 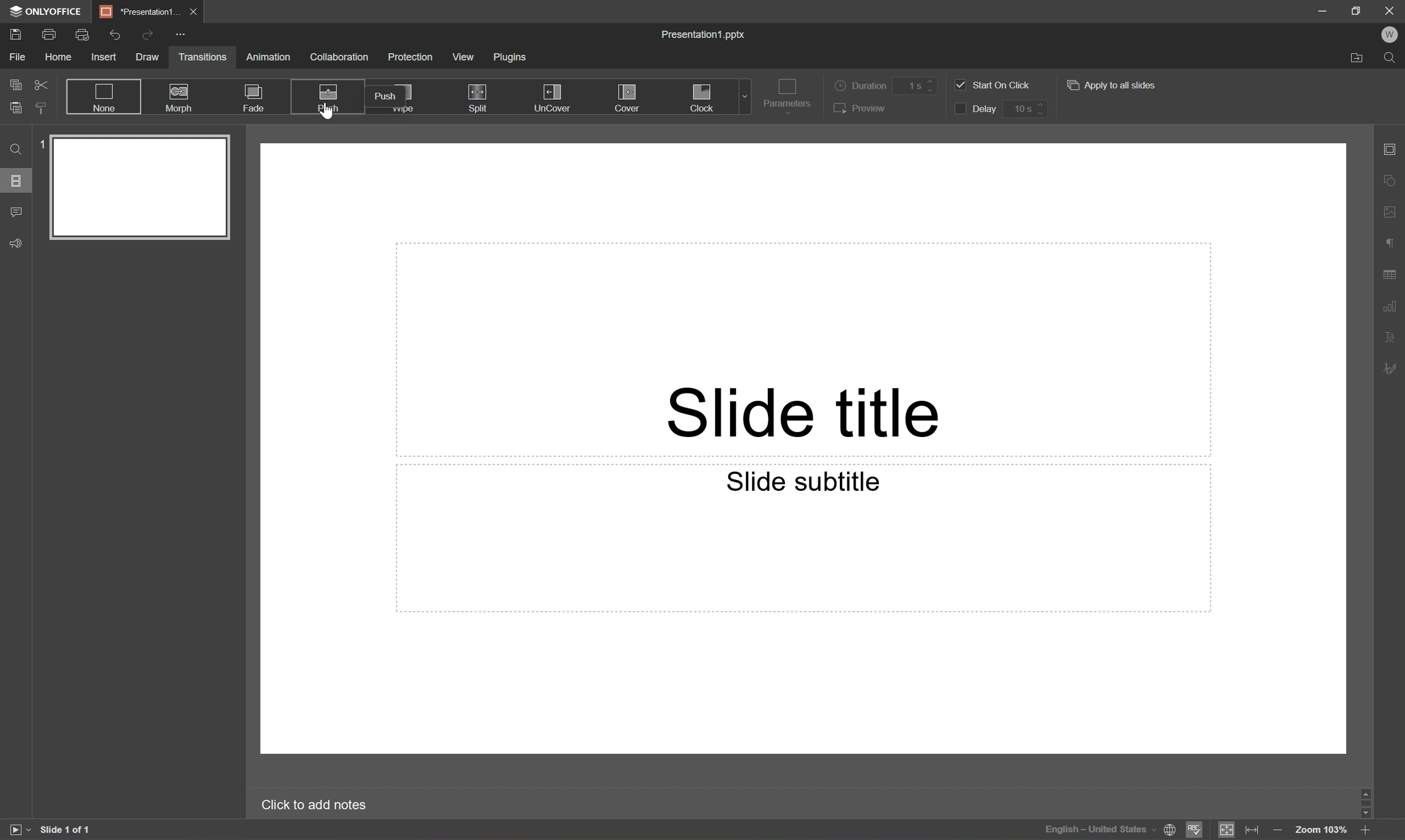 What do you see at coordinates (463, 58) in the screenshot?
I see `View` at bounding box center [463, 58].